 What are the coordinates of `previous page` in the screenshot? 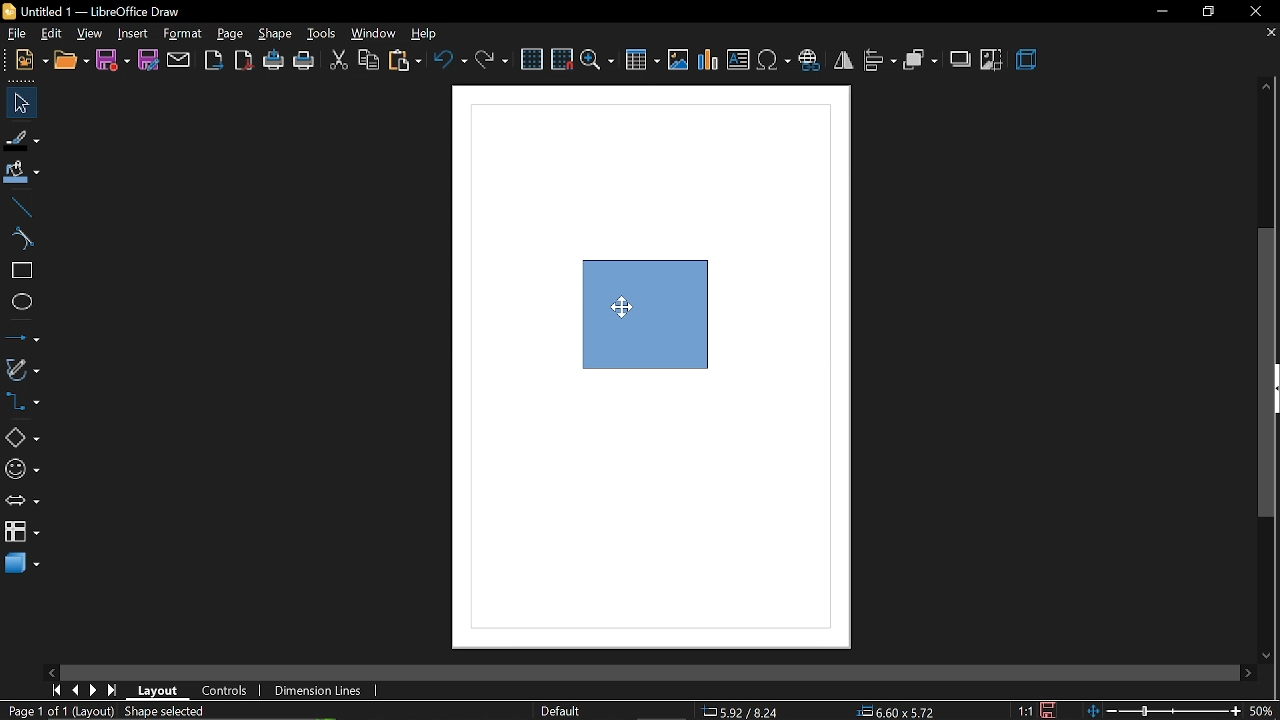 It's located at (75, 689).